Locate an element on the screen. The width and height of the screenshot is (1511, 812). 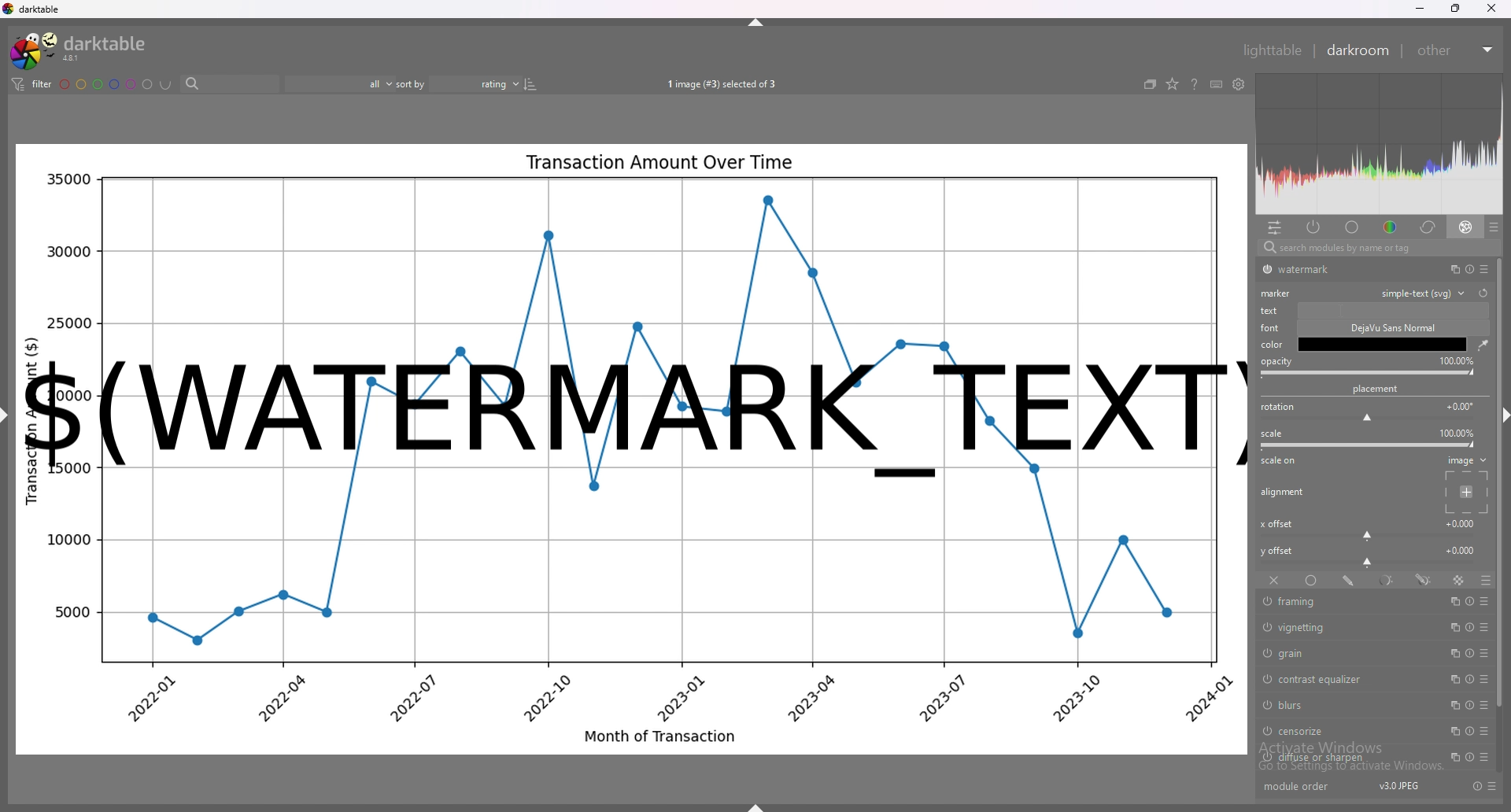
raster mask is located at coordinates (1459, 580).